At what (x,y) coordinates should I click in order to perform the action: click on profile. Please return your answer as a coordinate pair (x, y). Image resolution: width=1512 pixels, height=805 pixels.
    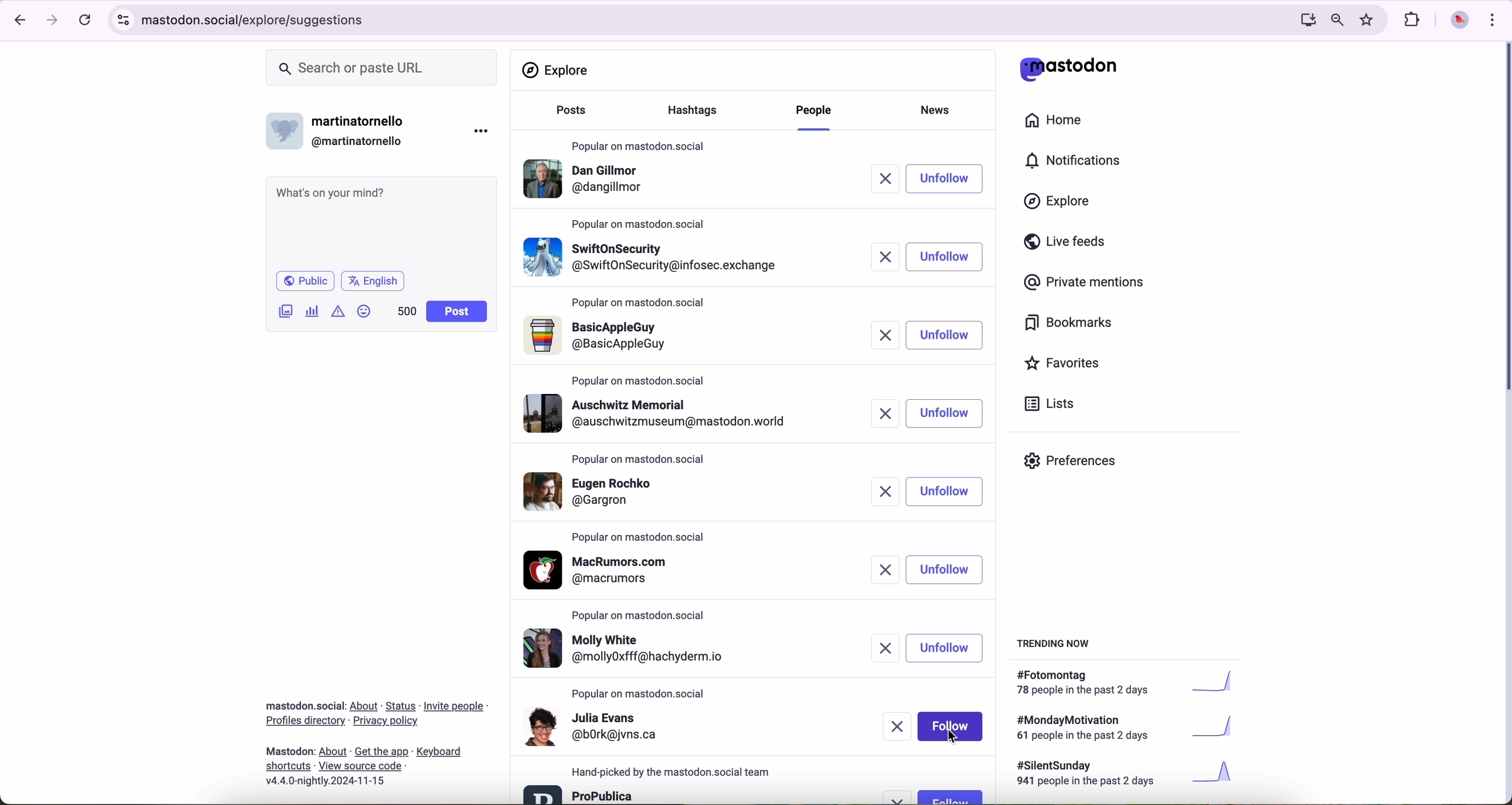
    Looking at the image, I should click on (595, 726).